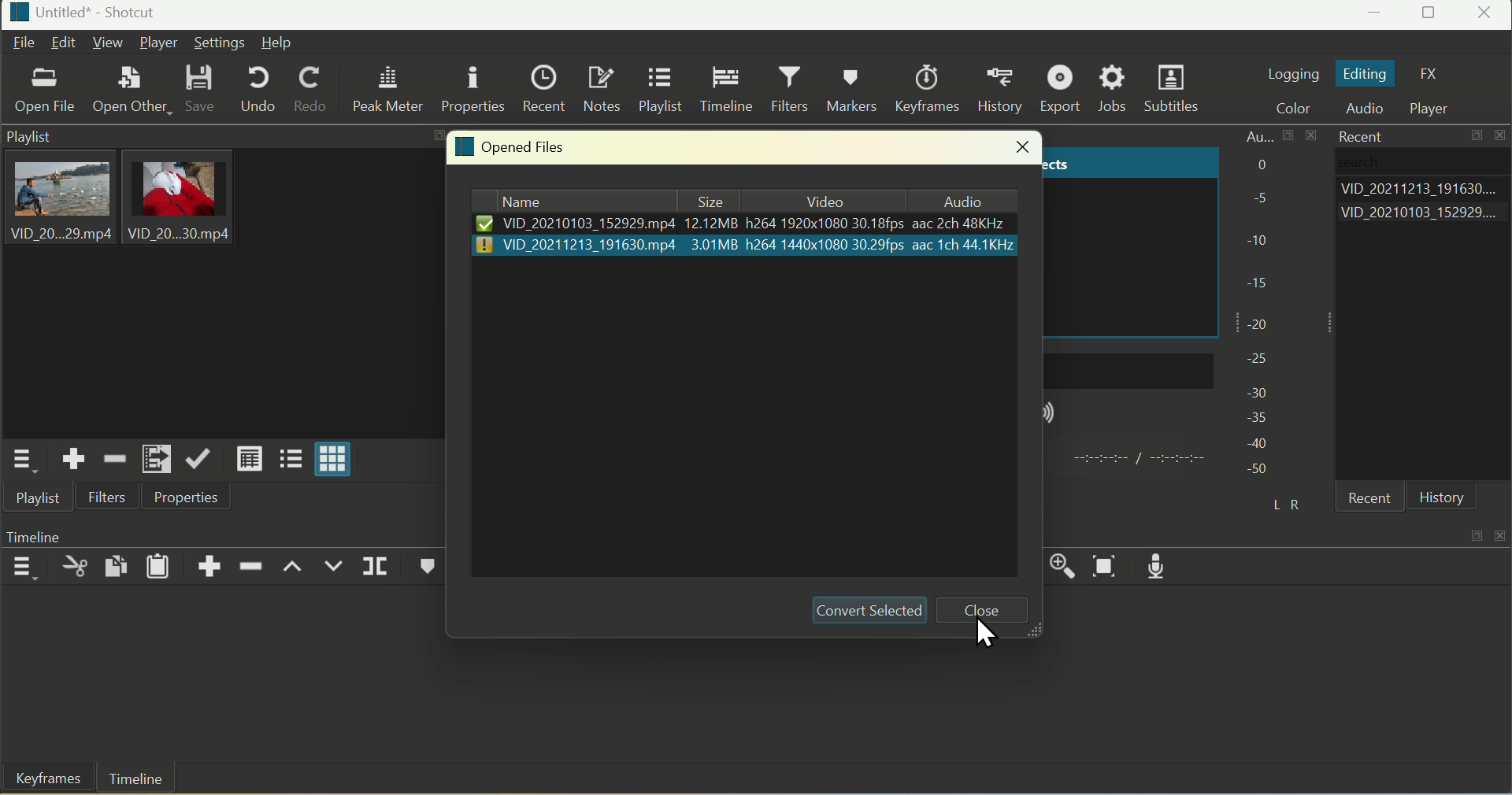 The image size is (1512, 795). I want to click on Close, so click(1487, 15).